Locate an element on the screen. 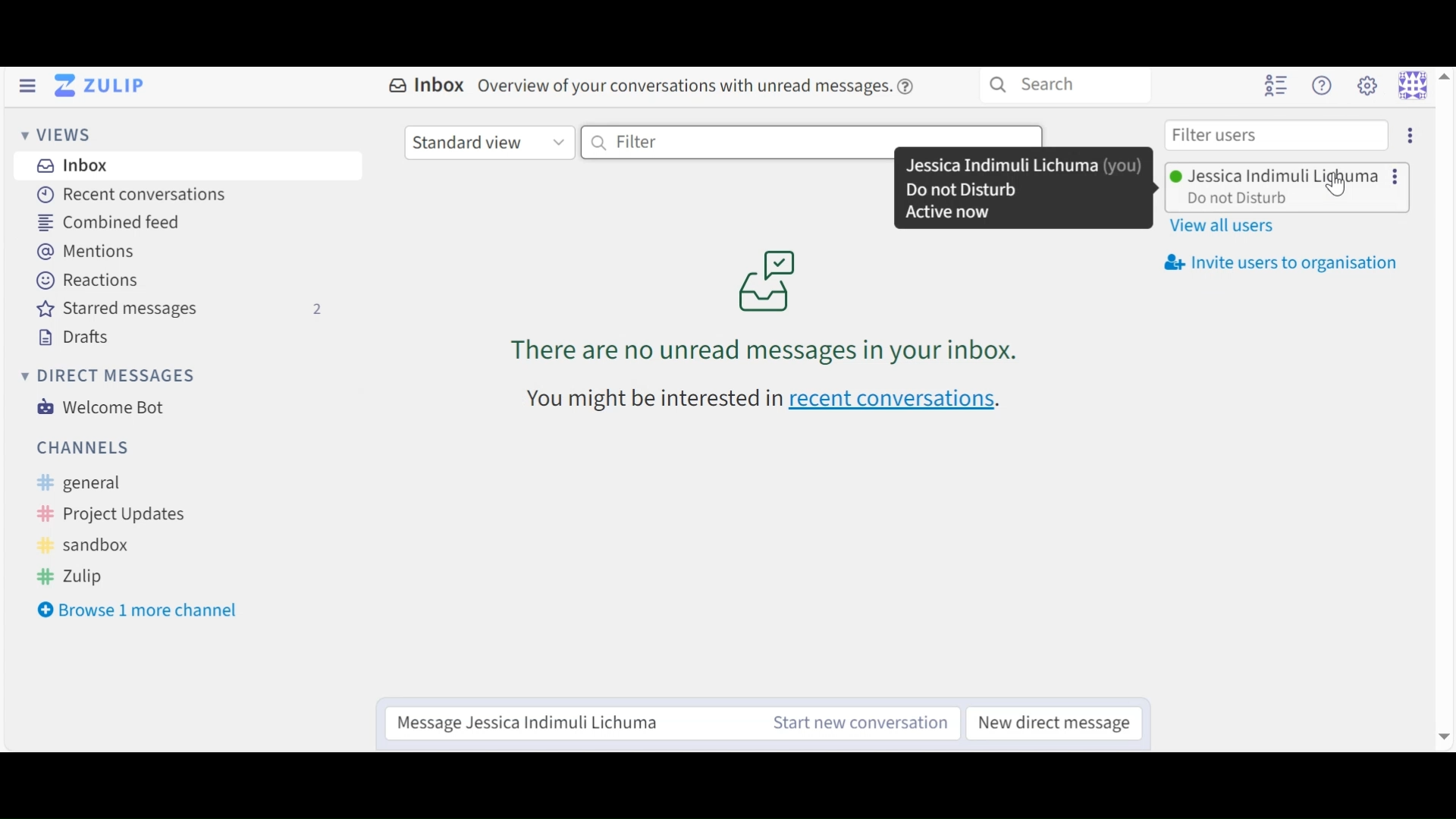 This screenshot has height=819, width=1456. Personal menu is located at coordinates (1425, 83).